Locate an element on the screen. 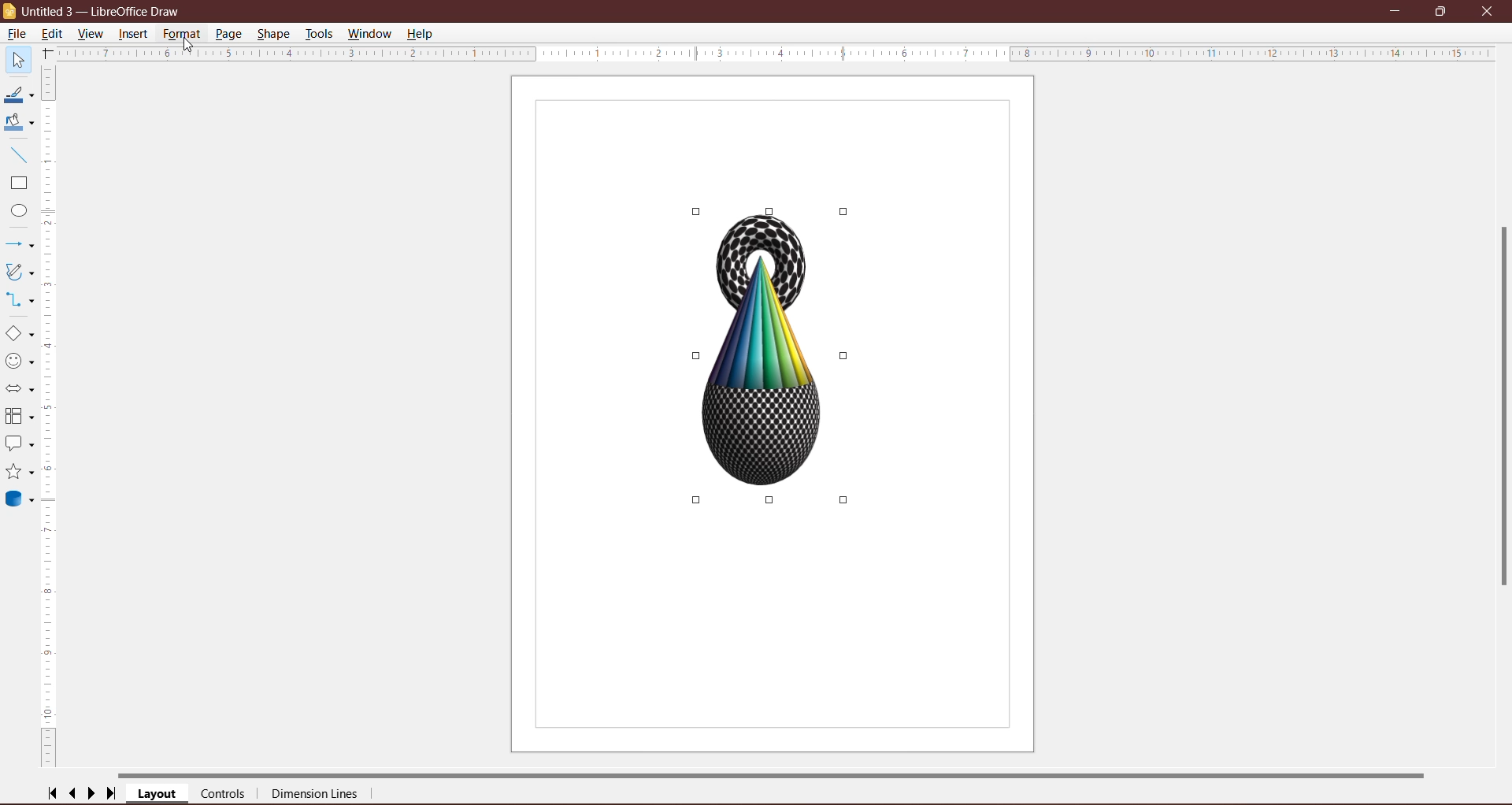  Scroll to next page is located at coordinates (91, 794).